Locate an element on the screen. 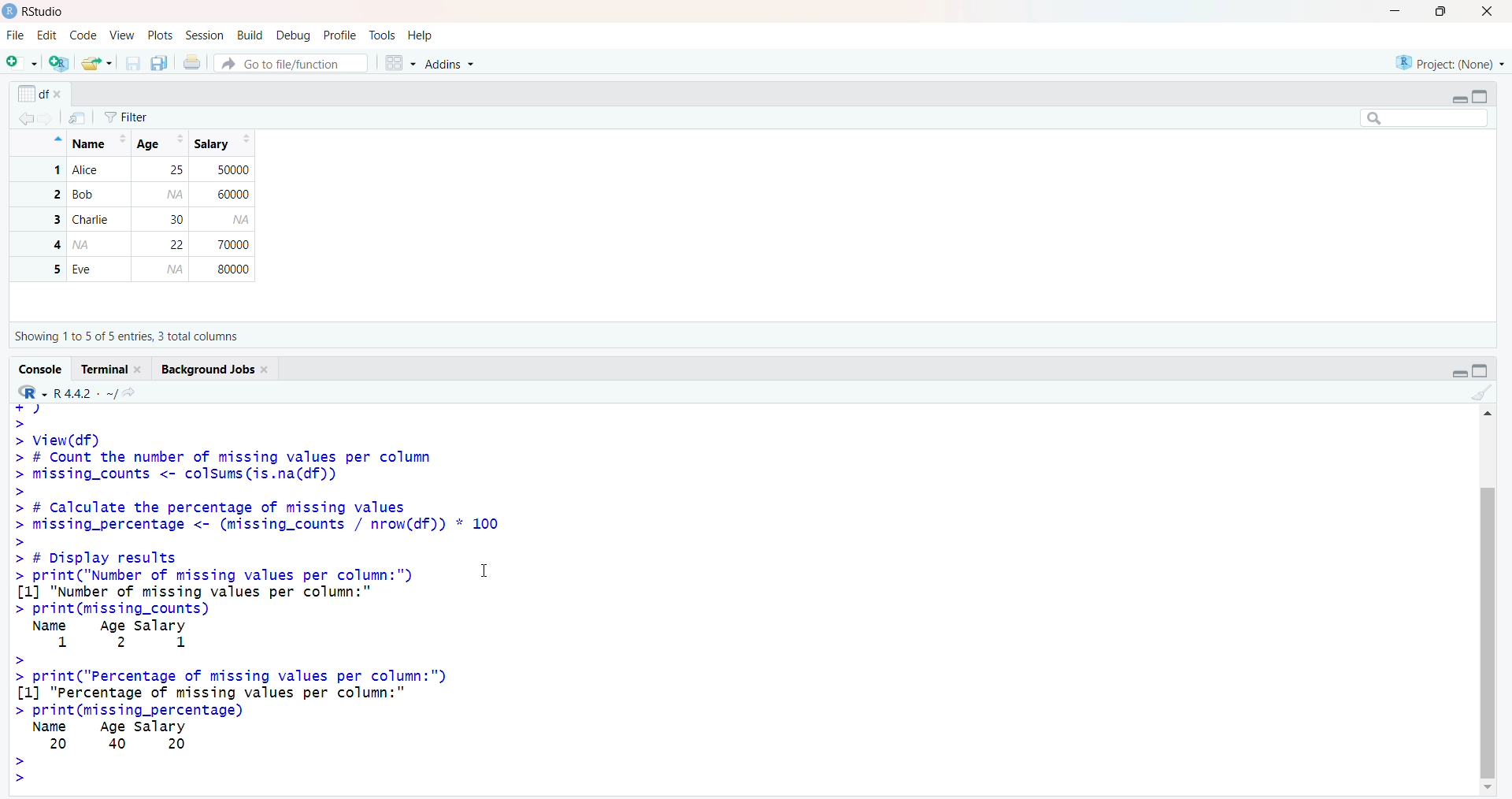 The height and width of the screenshot is (799, 1512). Age is located at coordinates (160, 143).